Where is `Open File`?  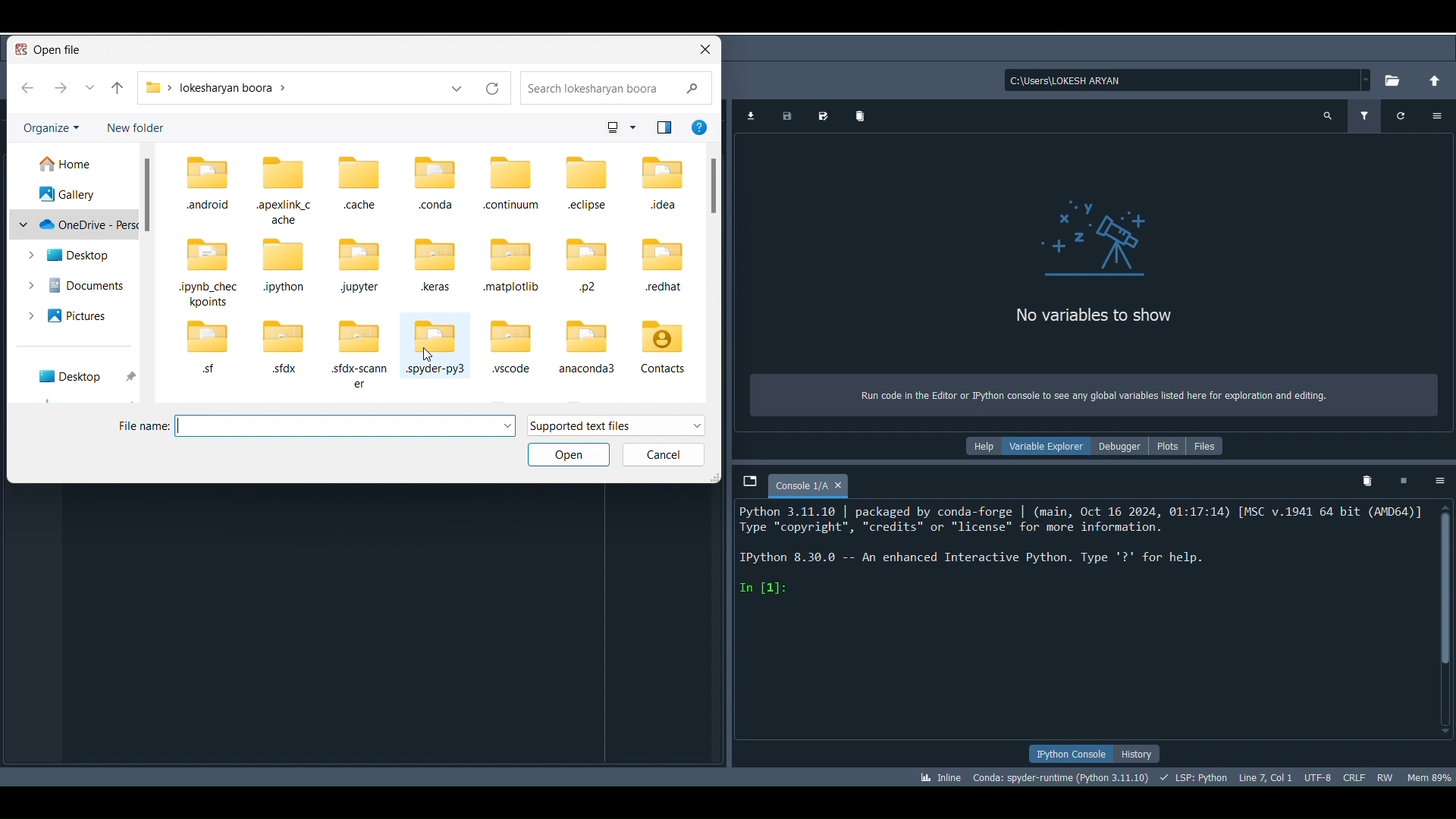
Open File is located at coordinates (51, 49).